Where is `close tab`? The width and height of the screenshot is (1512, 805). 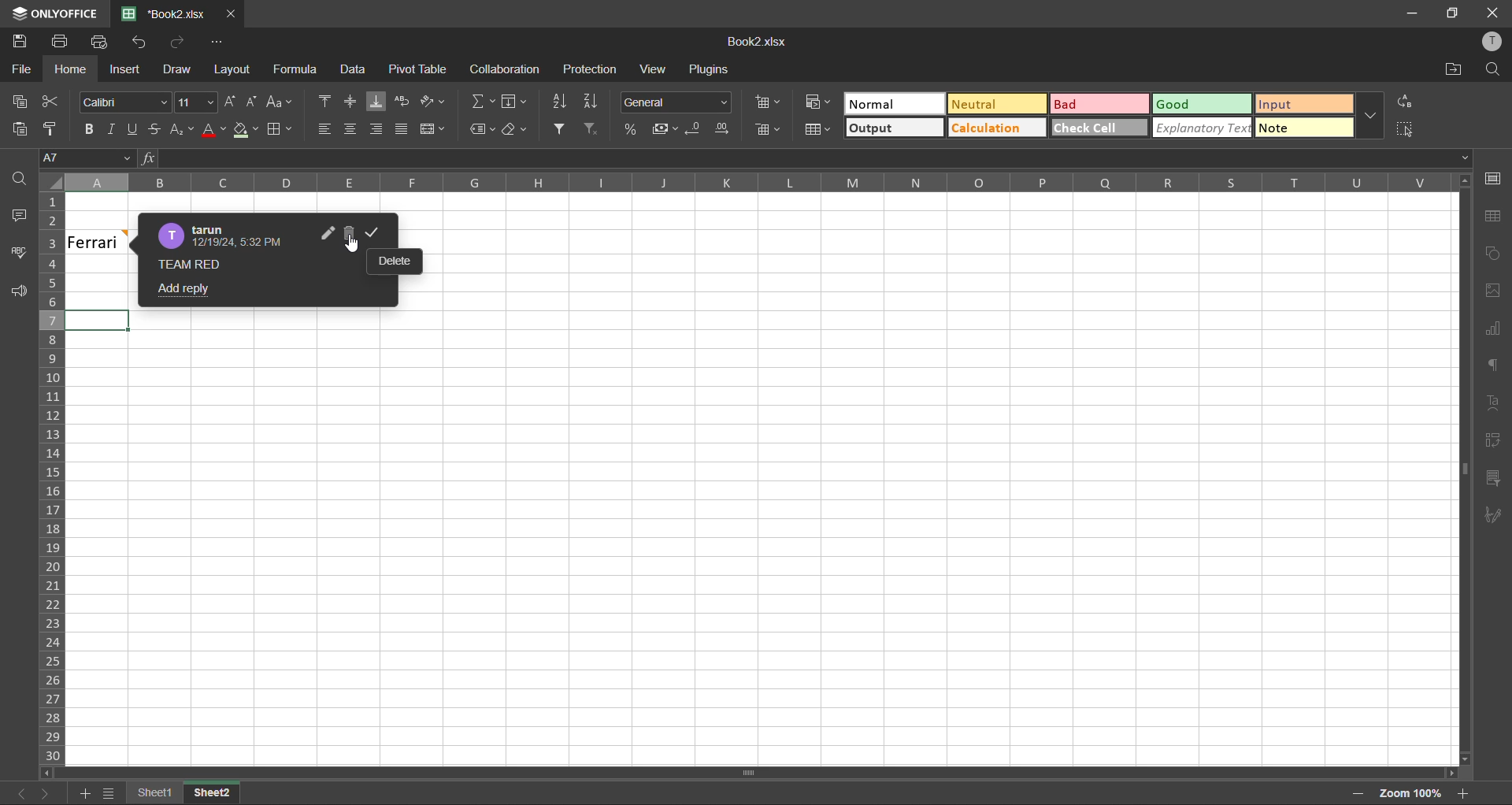
close tab is located at coordinates (232, 14).